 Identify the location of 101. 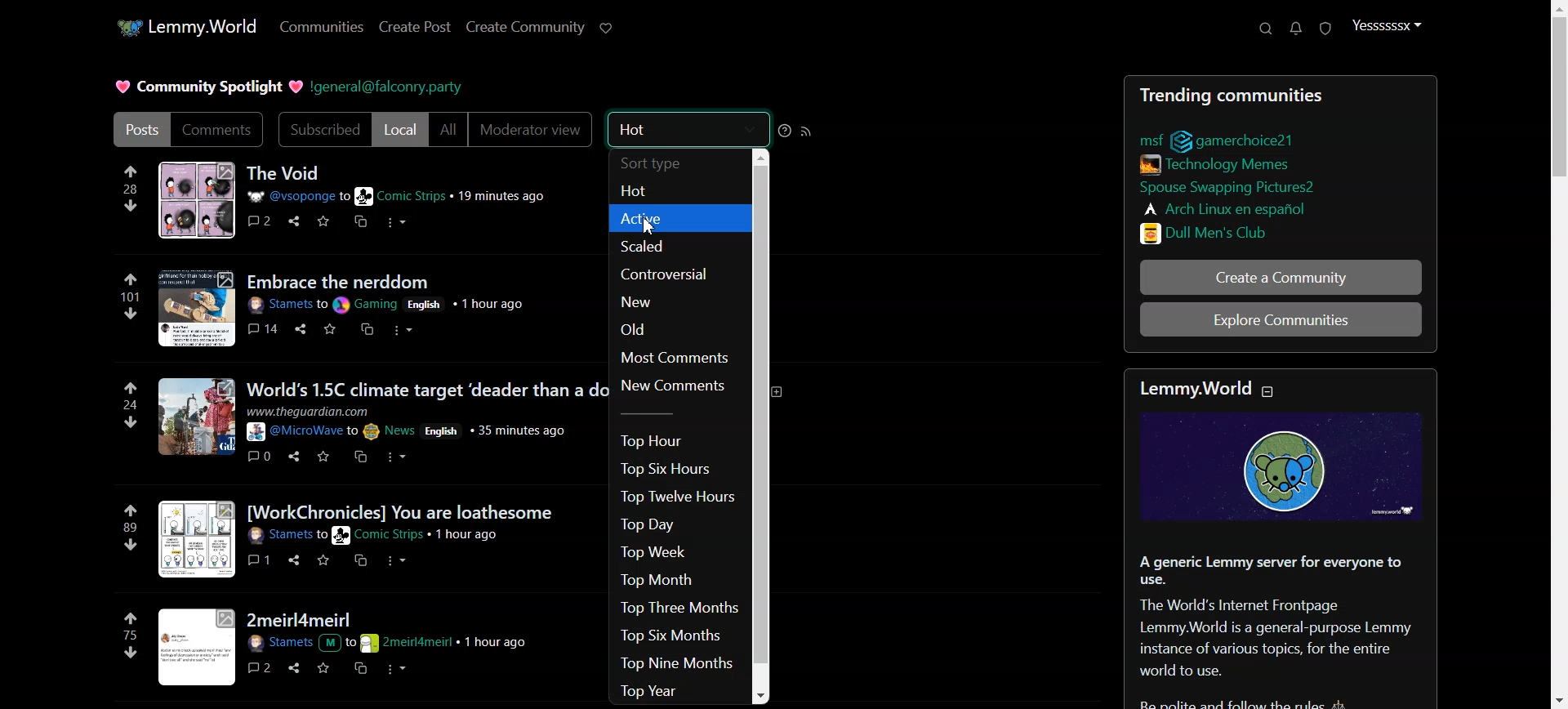
(129, 296).